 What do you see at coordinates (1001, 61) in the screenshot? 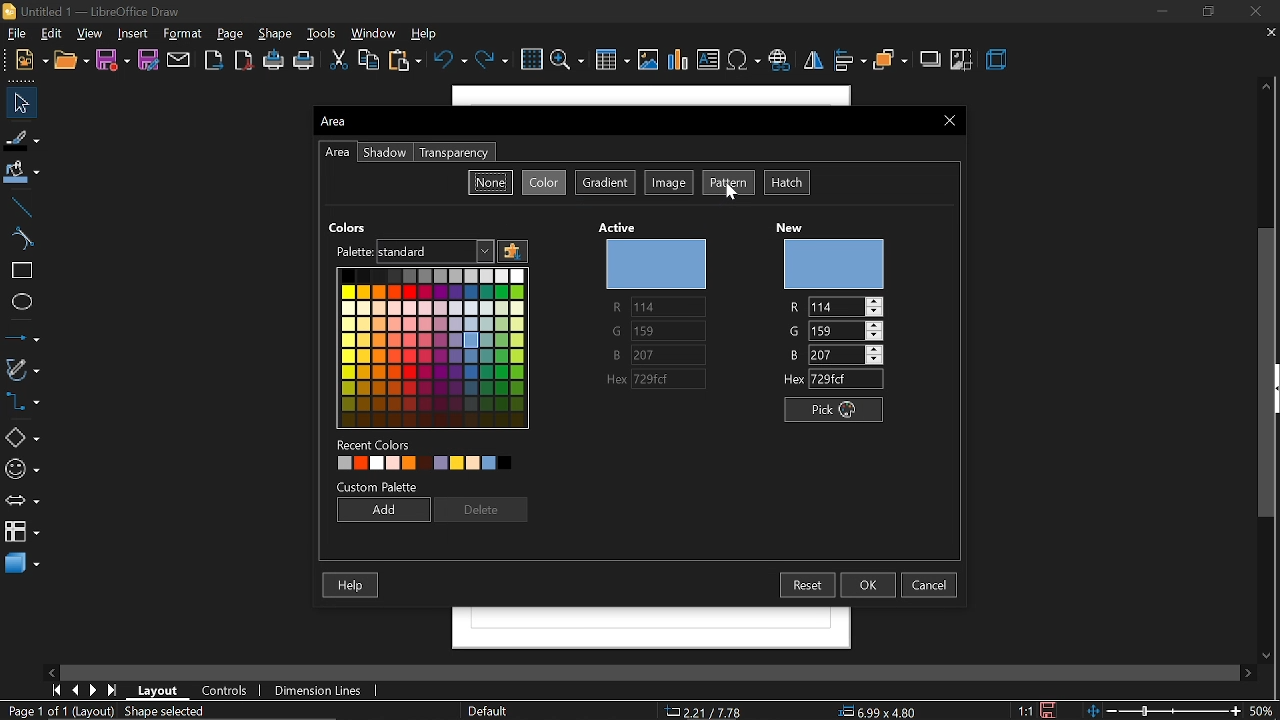
I see `3d effect` at bounding box center [1001, 61].